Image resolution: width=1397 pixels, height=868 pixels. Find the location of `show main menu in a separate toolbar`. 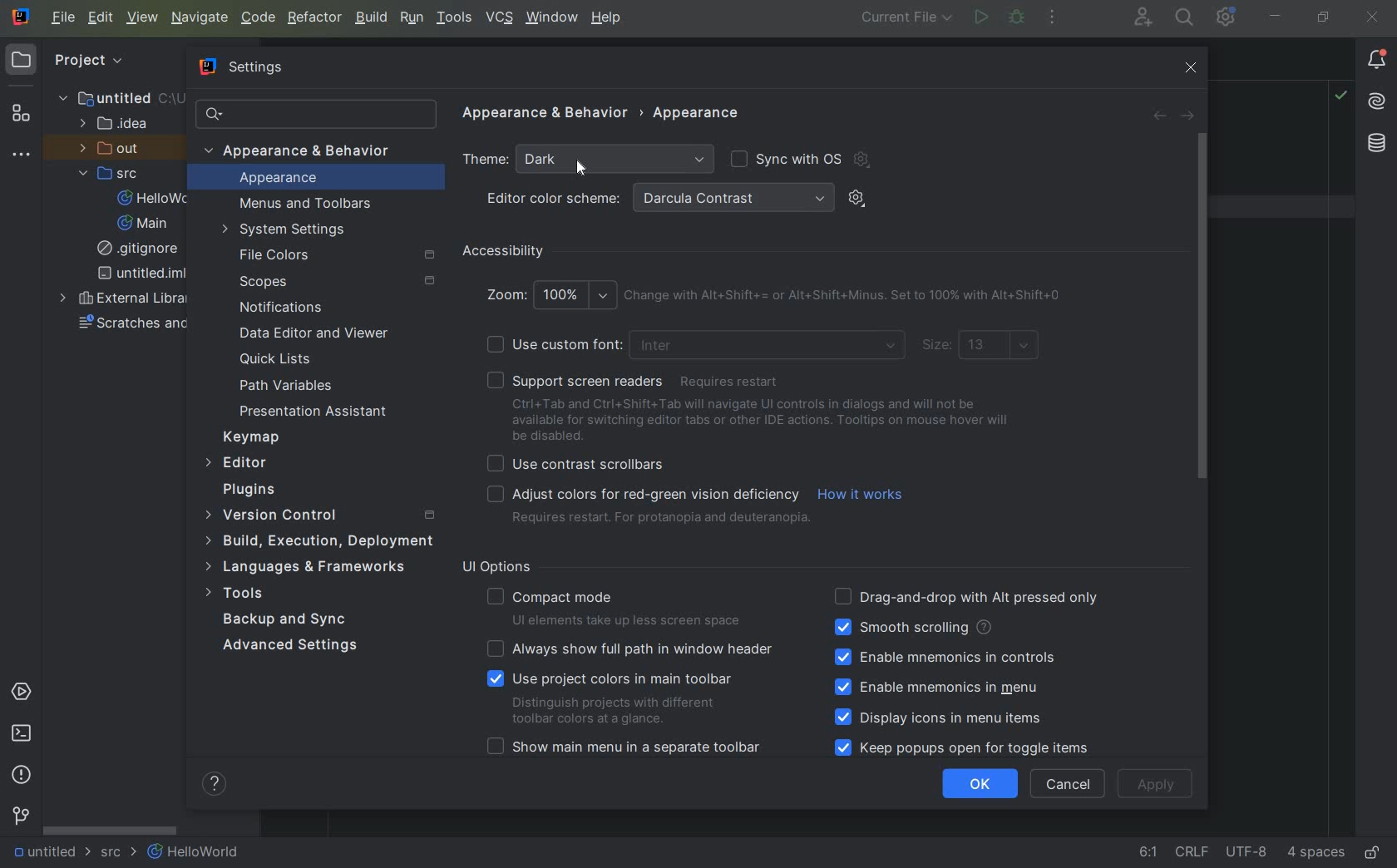

show main menu in a separate toolbar is located at coordinates (629, 749).